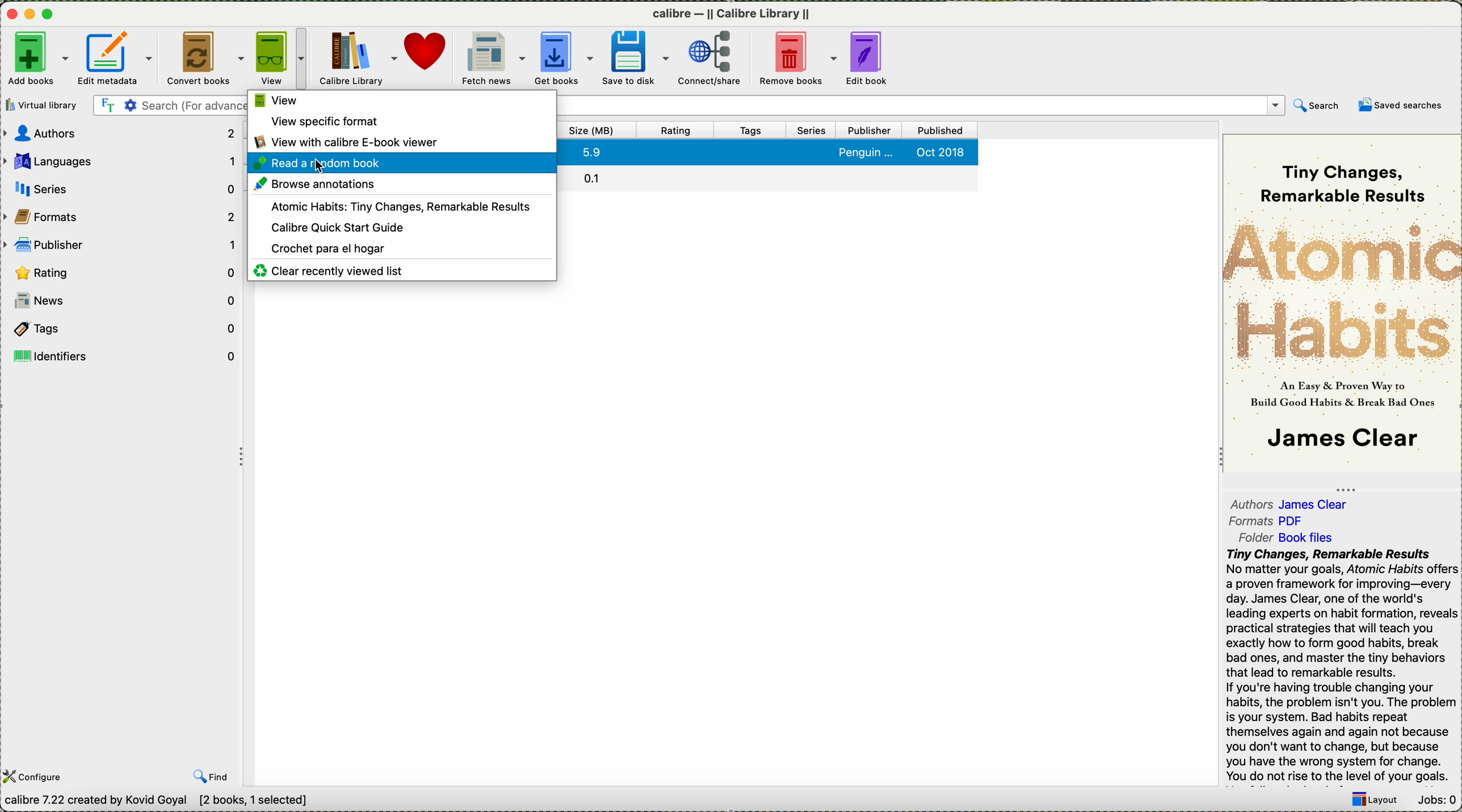  Describe the element at coordinates (162, 802) in the screenshot. I see `Calibre 7.22 created by Kavid Goyal [2 books ,1 selected]` at that location.